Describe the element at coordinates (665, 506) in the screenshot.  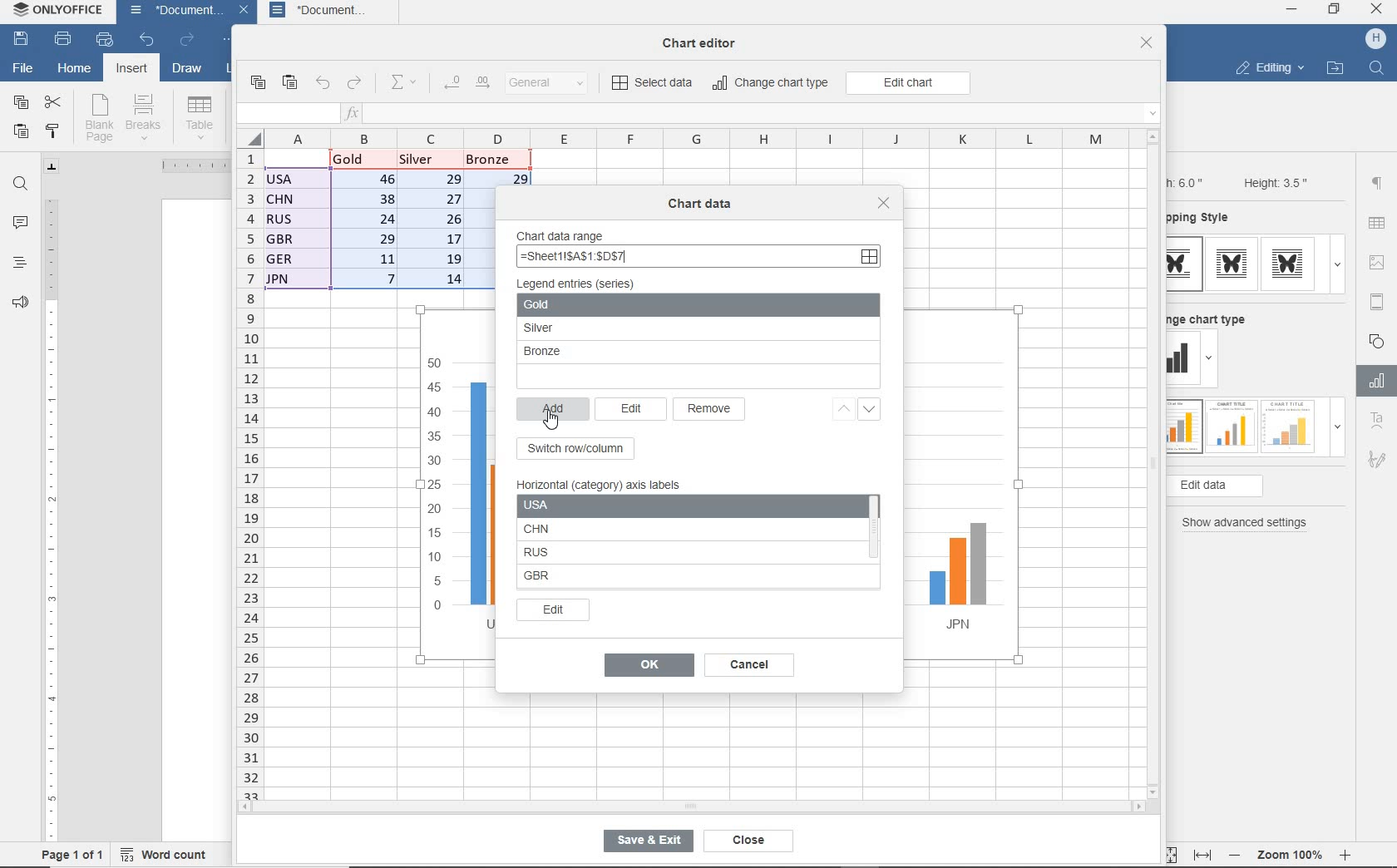
I see `USA` at that location.